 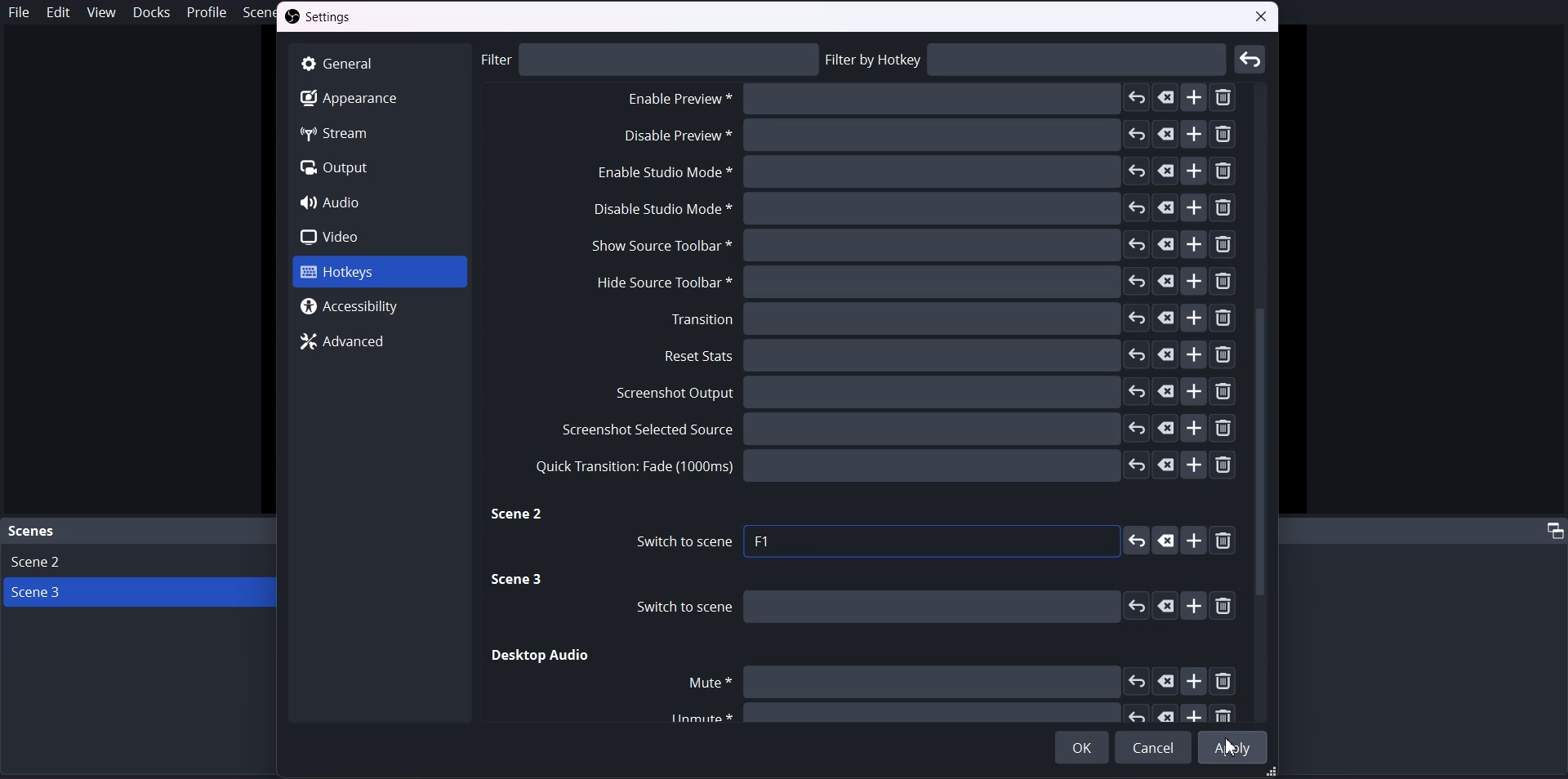 I want to click on Screenshot output, so click(x=927, y=393).